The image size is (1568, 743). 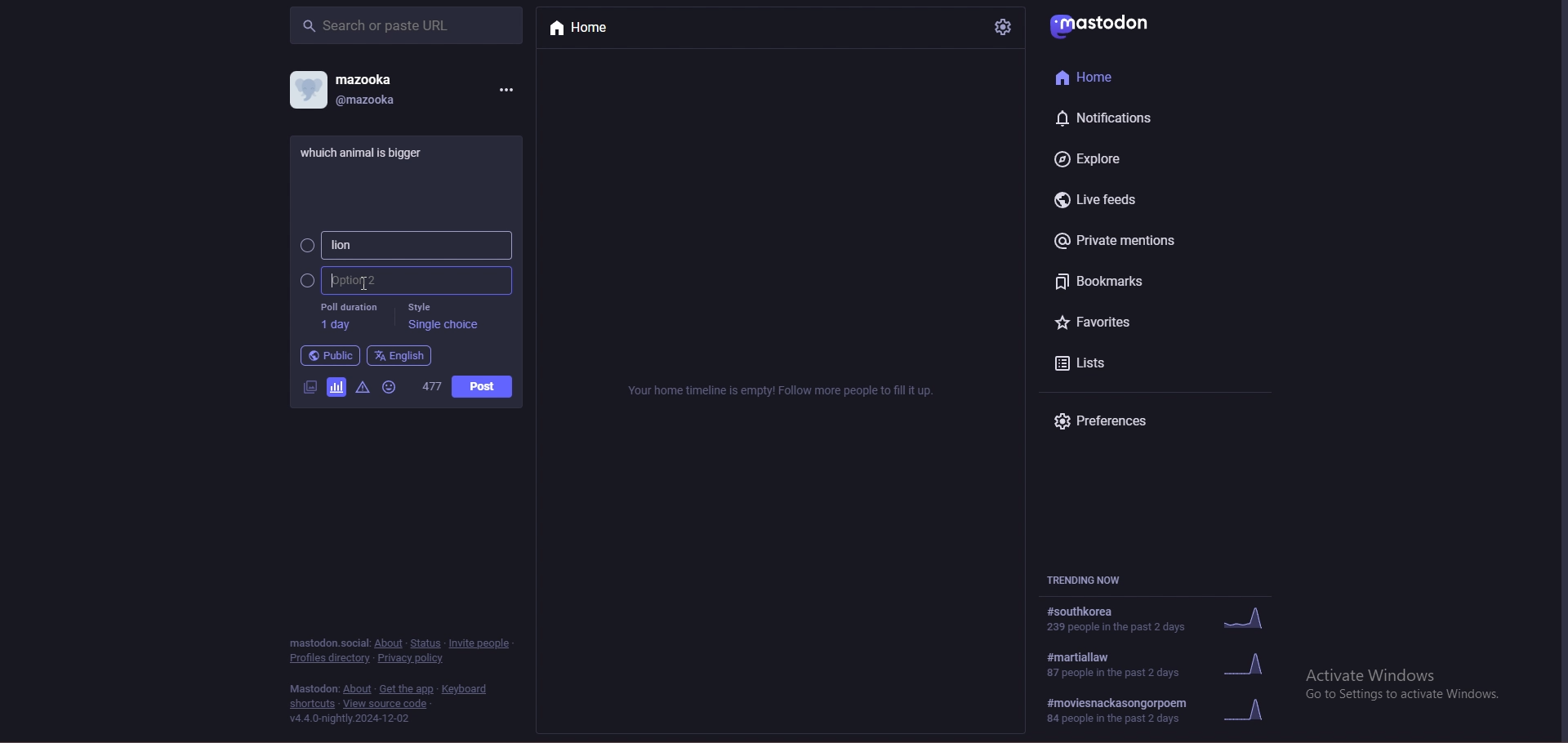 What do you see at coordinates (357, 689) in the screenshot?
I see `about` at bounding box center [357, 689].